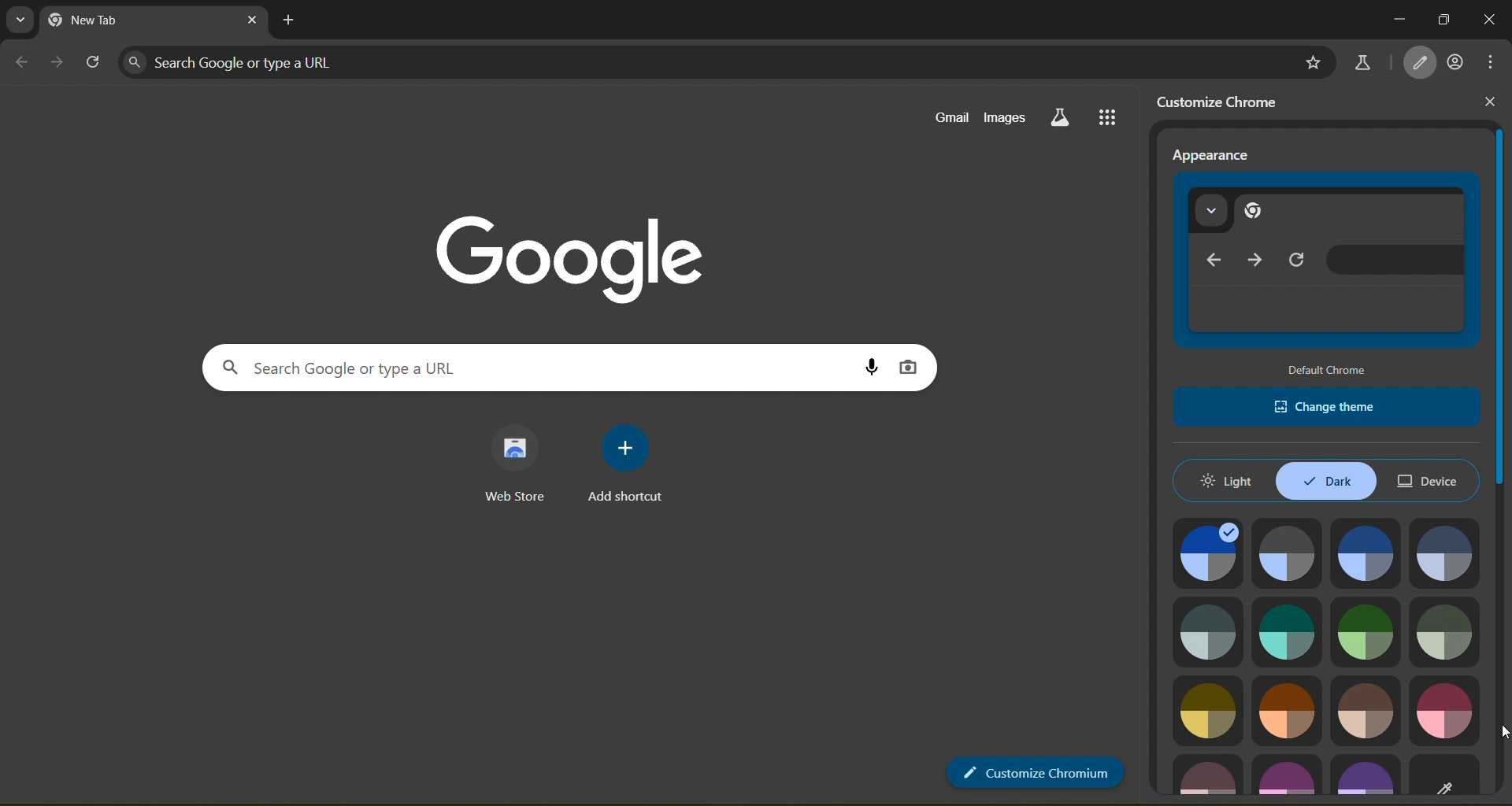  I want to click on close, so click(248, 20).